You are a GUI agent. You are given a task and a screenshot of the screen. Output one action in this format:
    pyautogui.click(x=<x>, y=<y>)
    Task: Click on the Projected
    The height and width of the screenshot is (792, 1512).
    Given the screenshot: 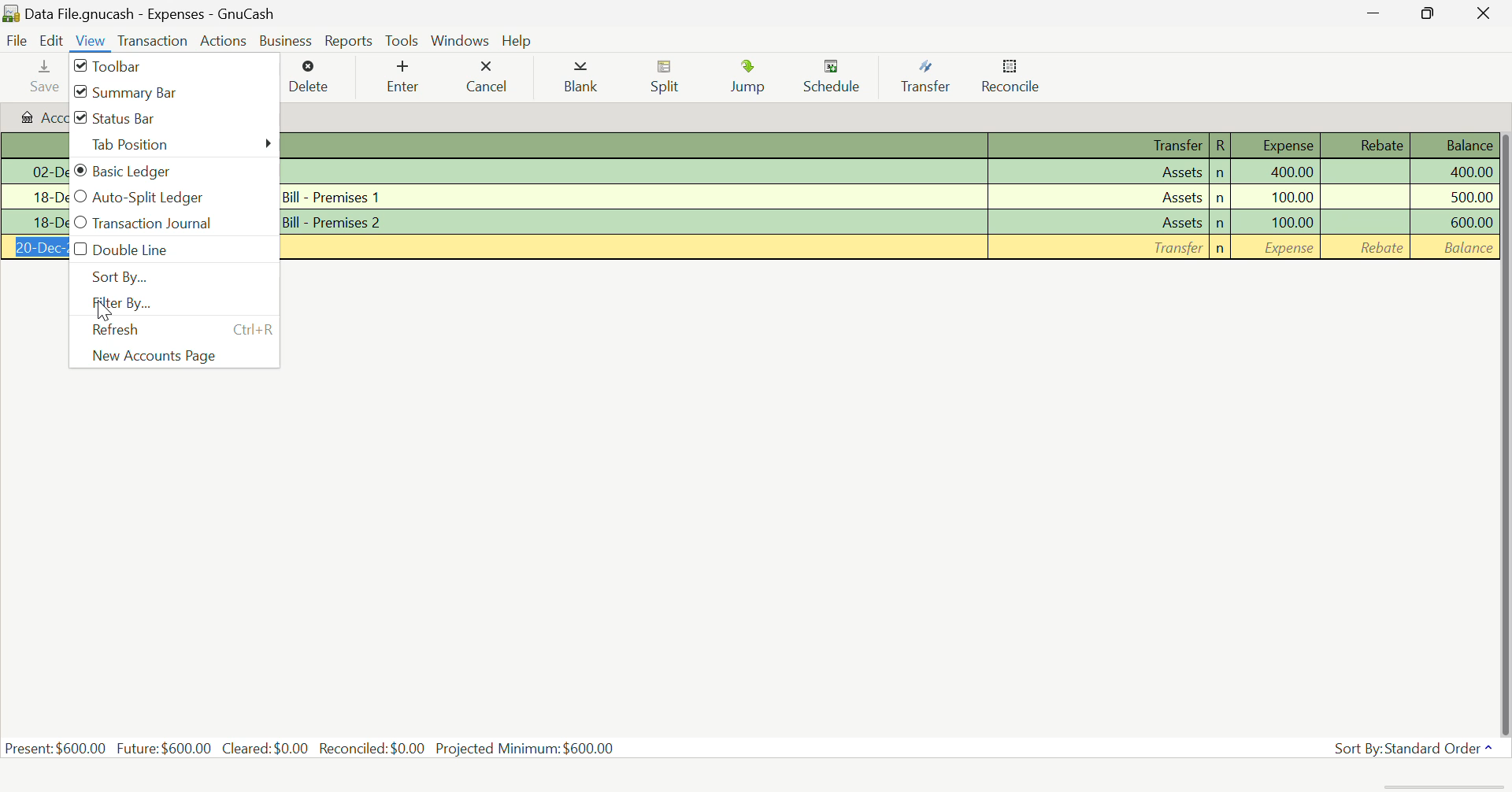 What is the action you would take?
    pyautogui.click(x=524, y=748)
    